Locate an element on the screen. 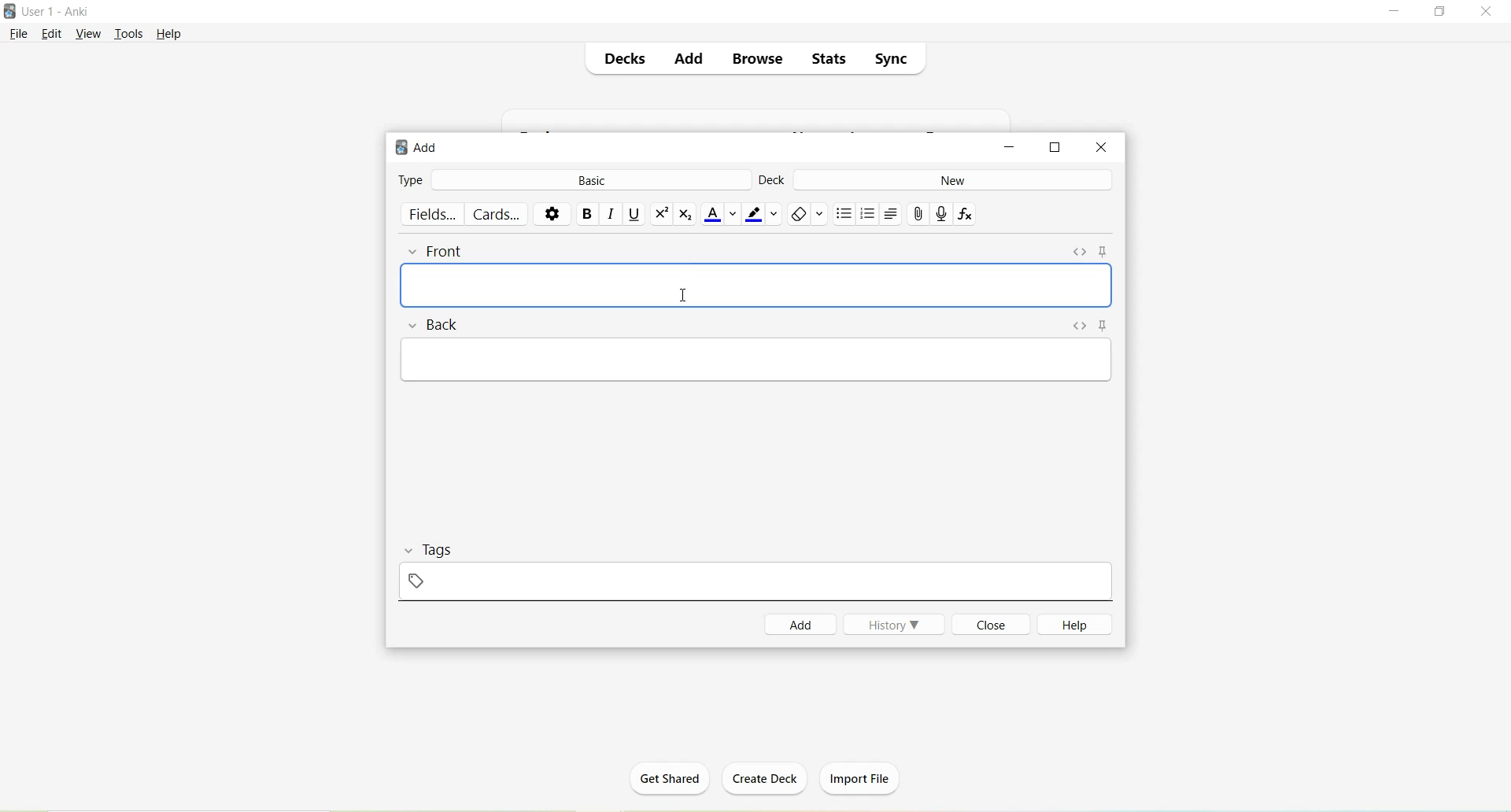 The image size is (1511, 812). Record Audio is located at coordinates (944, 216).